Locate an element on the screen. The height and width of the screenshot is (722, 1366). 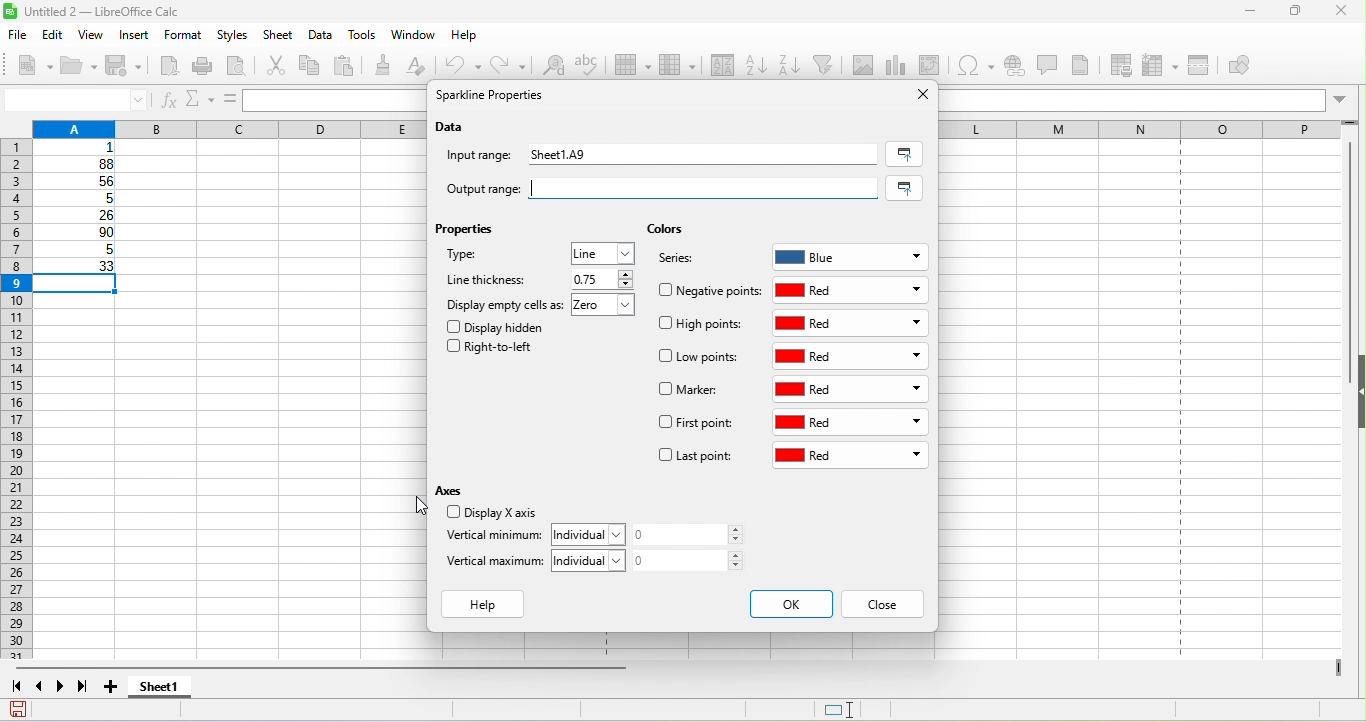
sort ascending is located at coordinates (756, 63).